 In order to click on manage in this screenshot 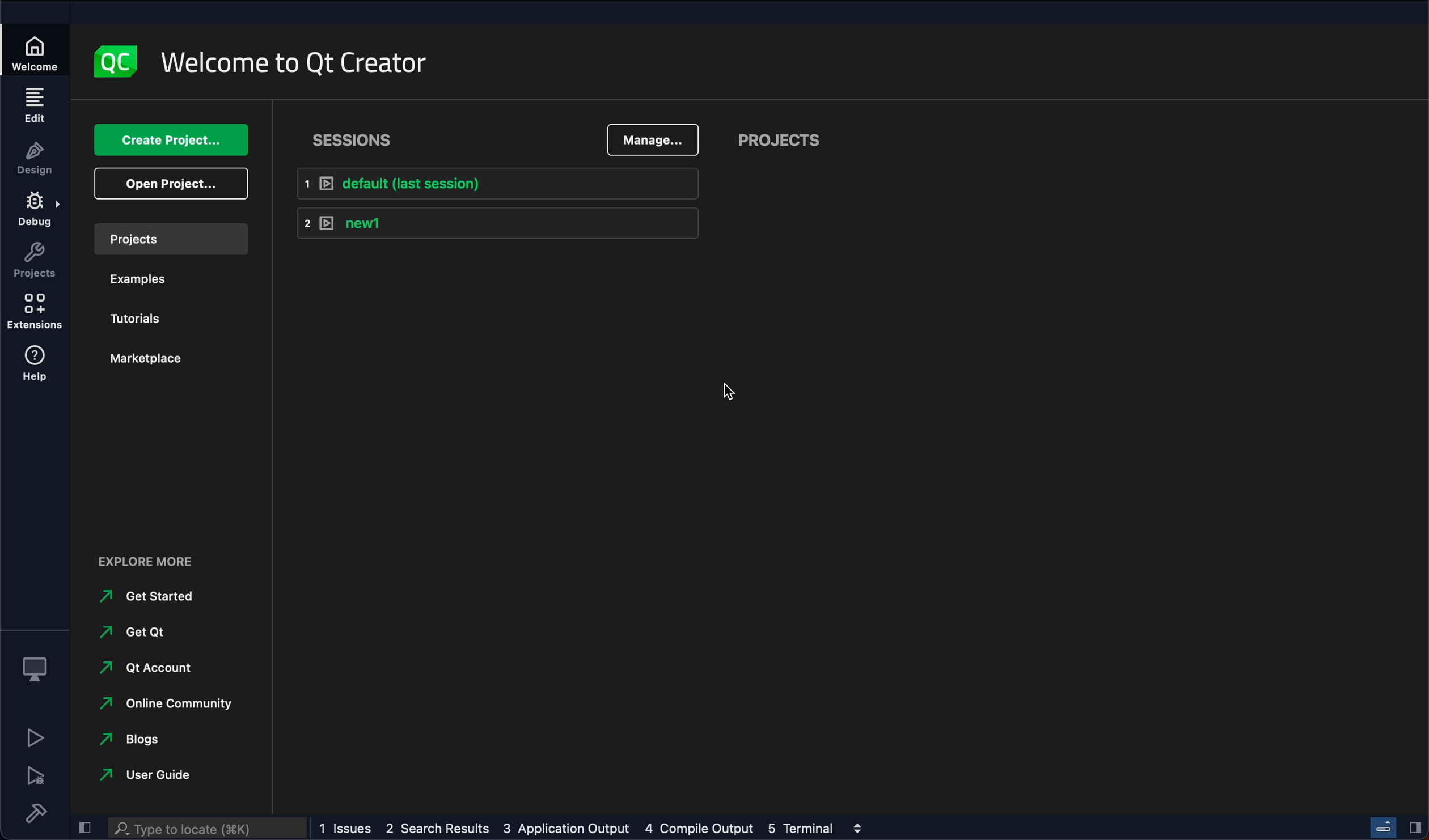, I will do `click(649, 136)`.